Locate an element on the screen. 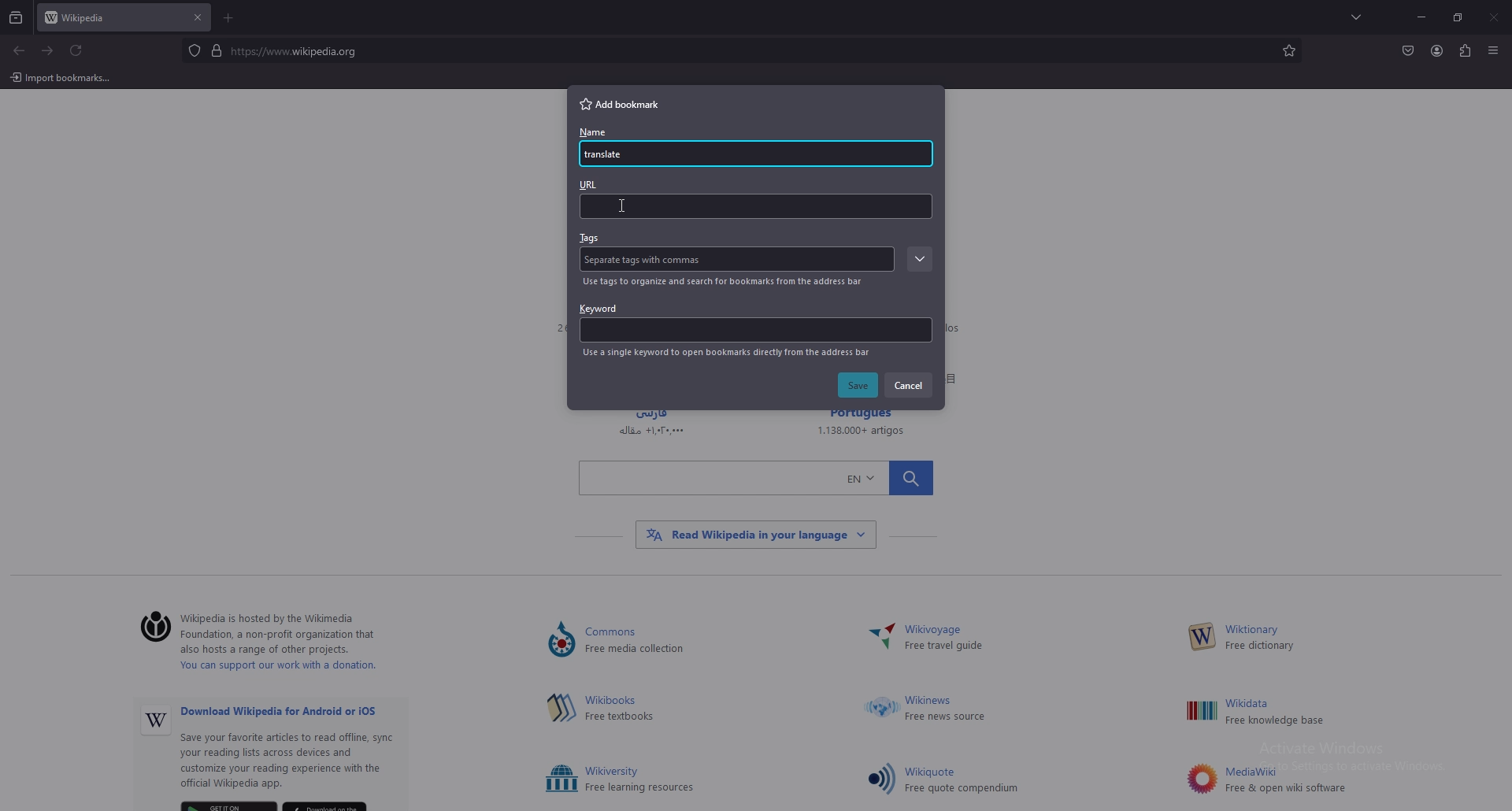 The image size is (1512, 811). refresh is located at coordinates (76, 51).